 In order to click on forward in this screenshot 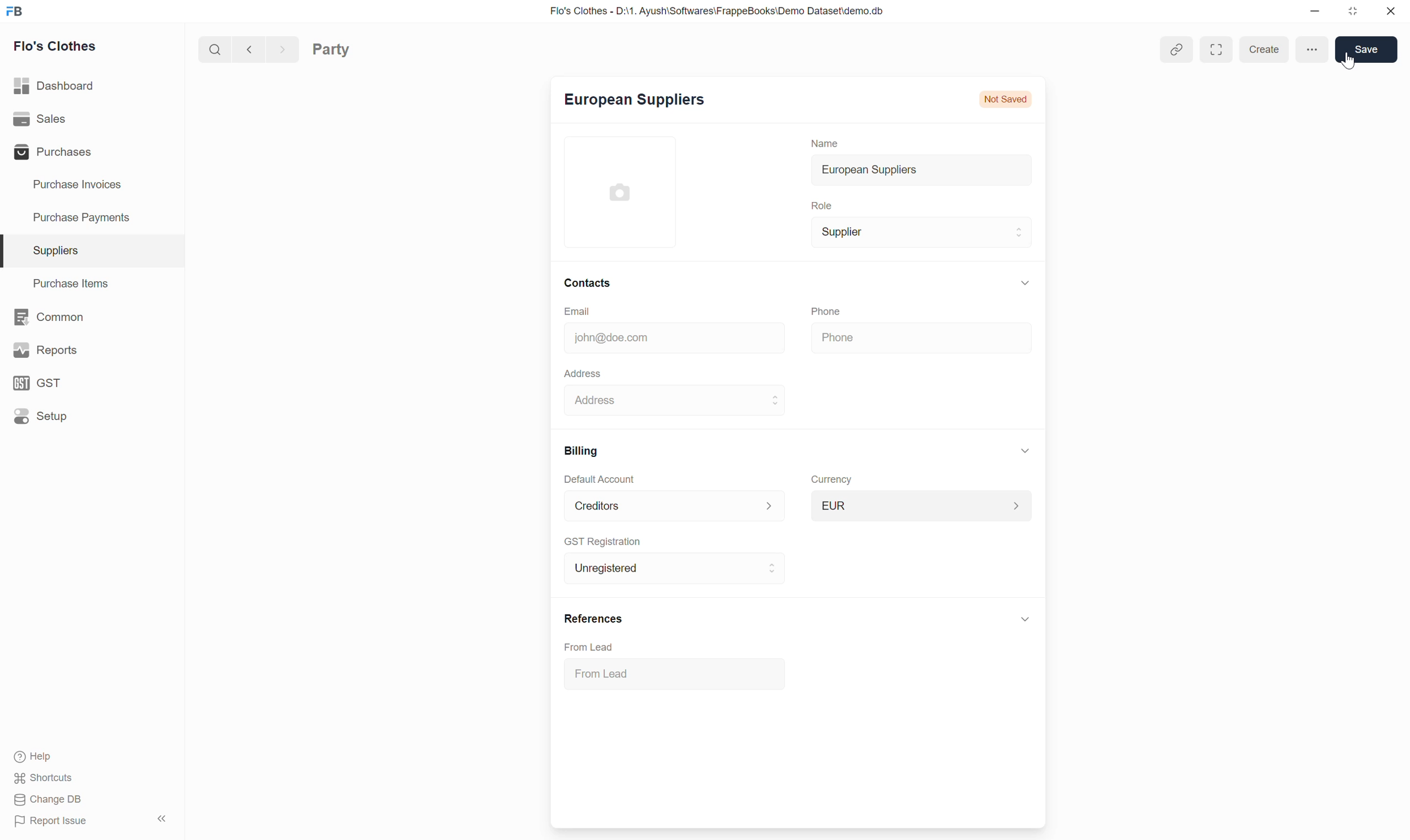, I will do `click(279, 48)`.